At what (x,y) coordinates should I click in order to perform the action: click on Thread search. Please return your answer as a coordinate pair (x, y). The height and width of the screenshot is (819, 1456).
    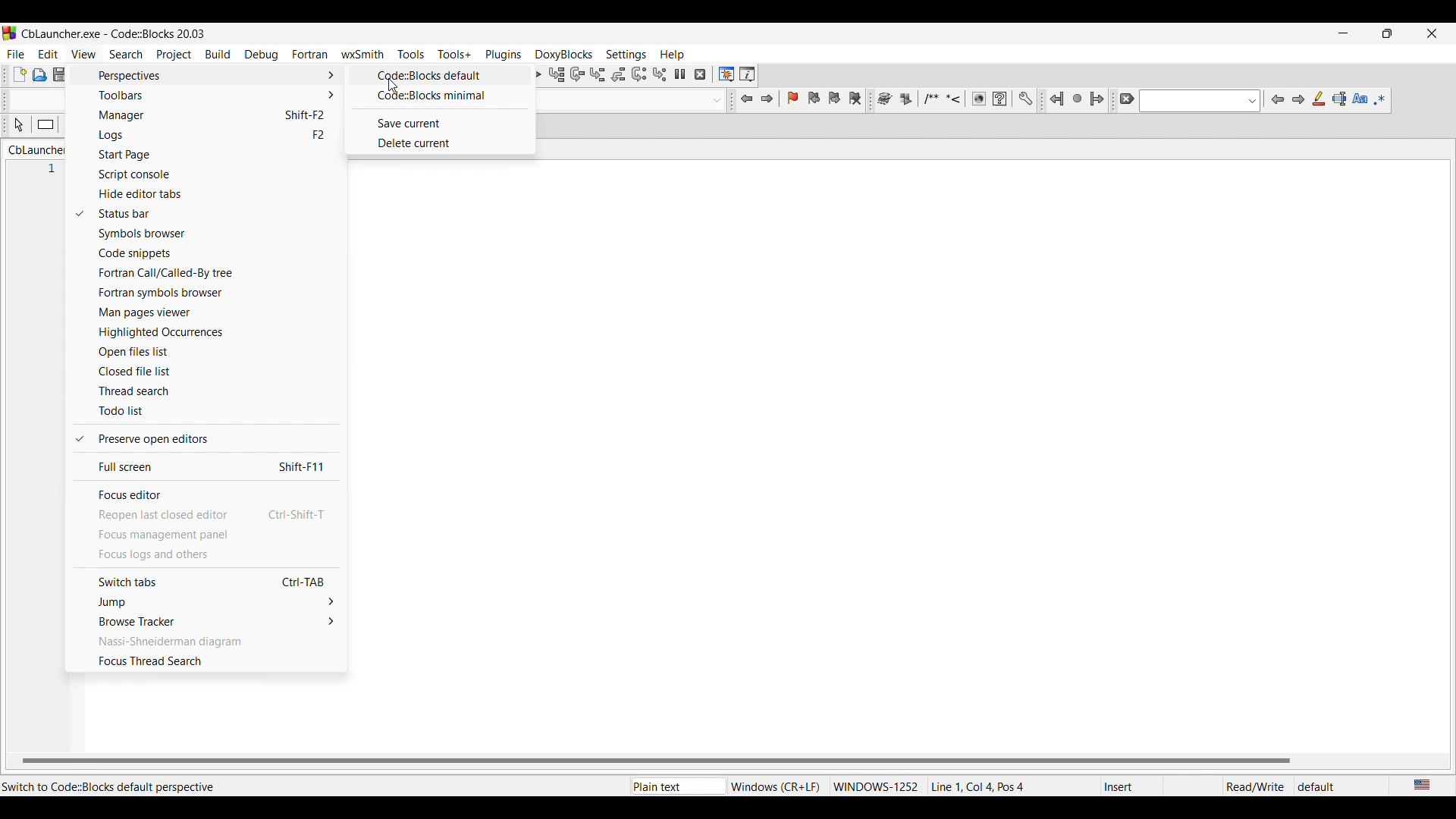
    Looking at the image, I should click on (215, 391).